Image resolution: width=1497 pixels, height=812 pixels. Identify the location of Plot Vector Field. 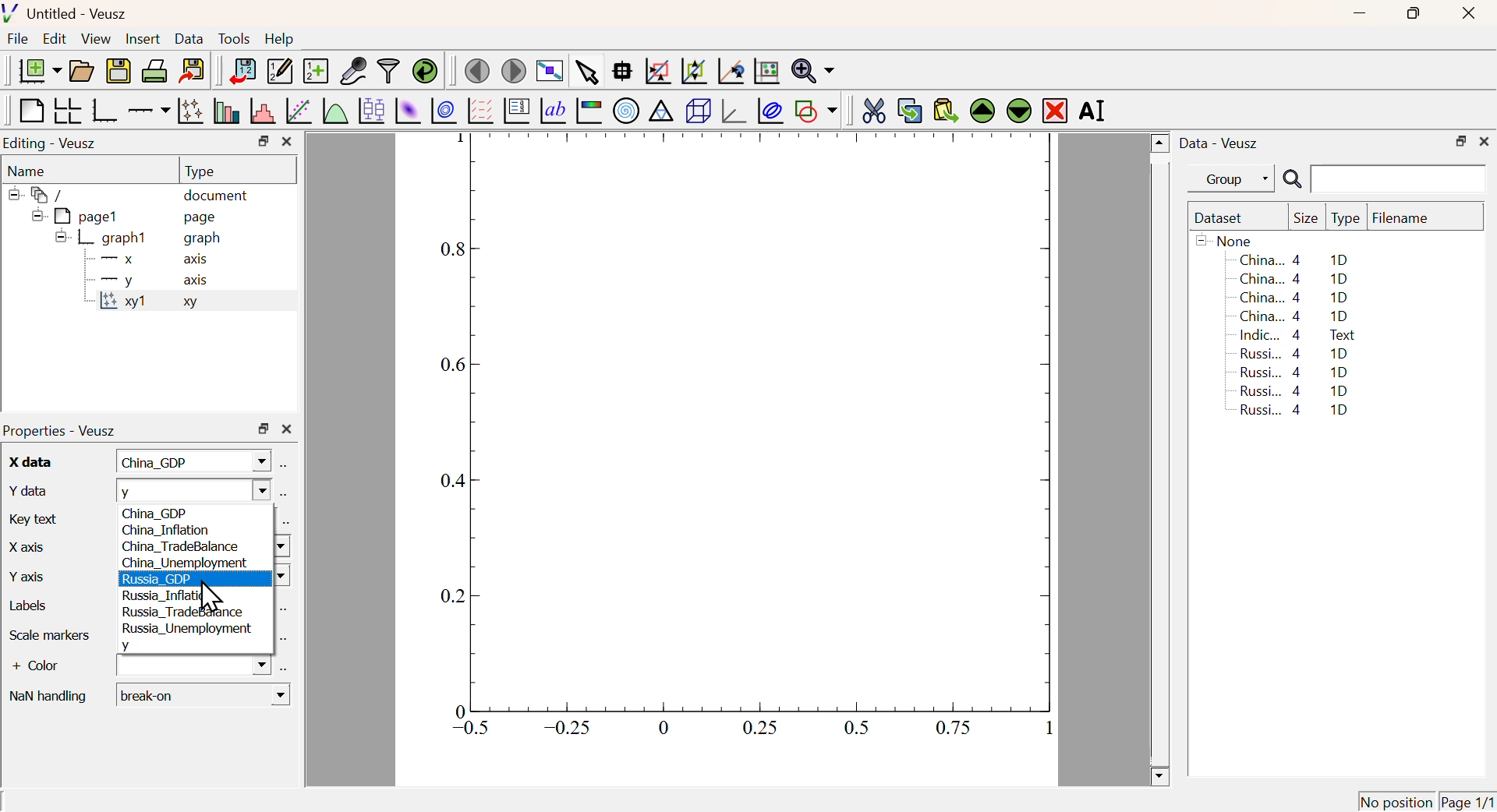
(478, 110).